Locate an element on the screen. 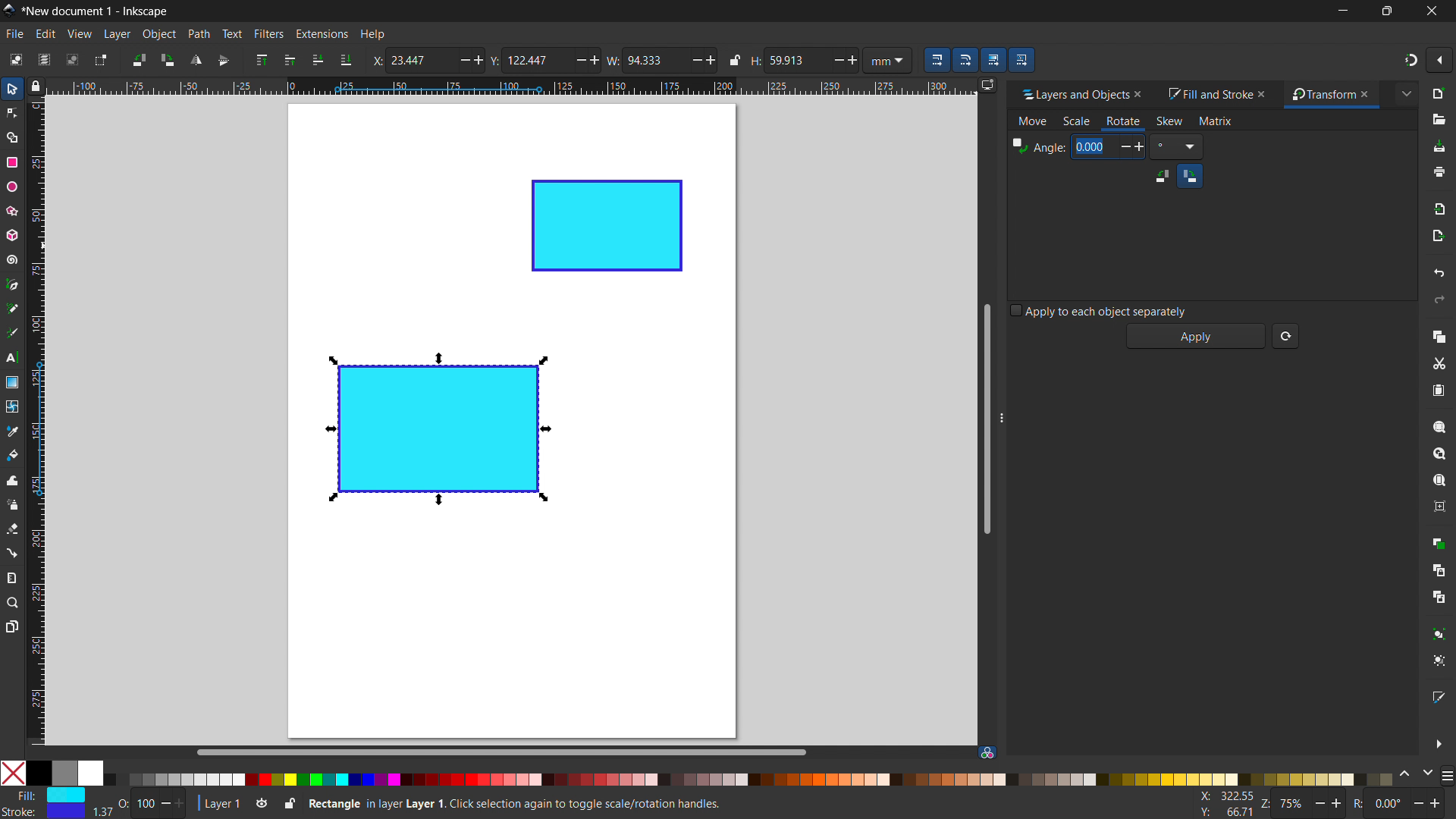 This screenshot has height=819, width=1456. R: 0.00 is located at coordinates (1401, 805).